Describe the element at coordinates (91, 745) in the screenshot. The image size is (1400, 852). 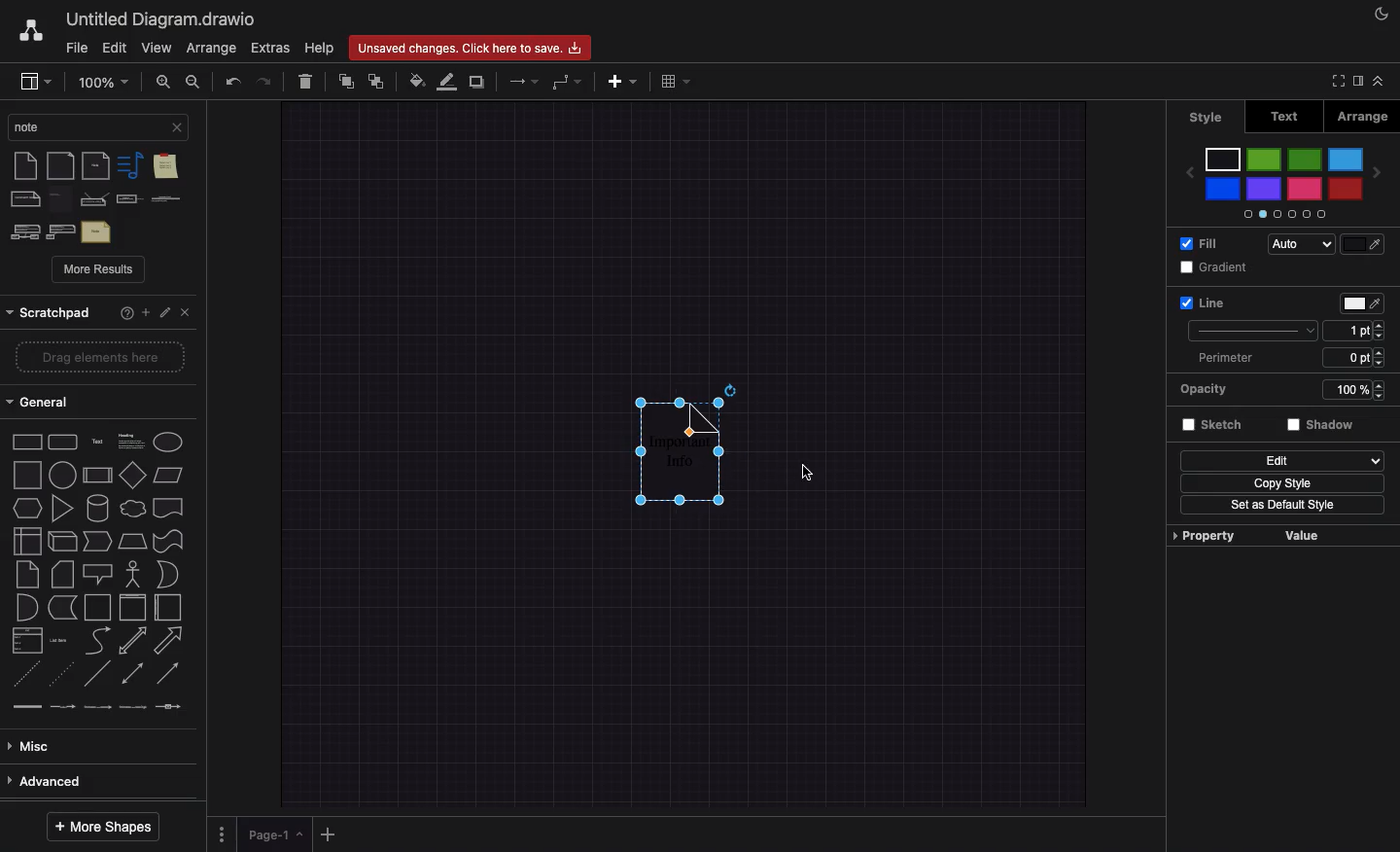
I see `misc` at that location.